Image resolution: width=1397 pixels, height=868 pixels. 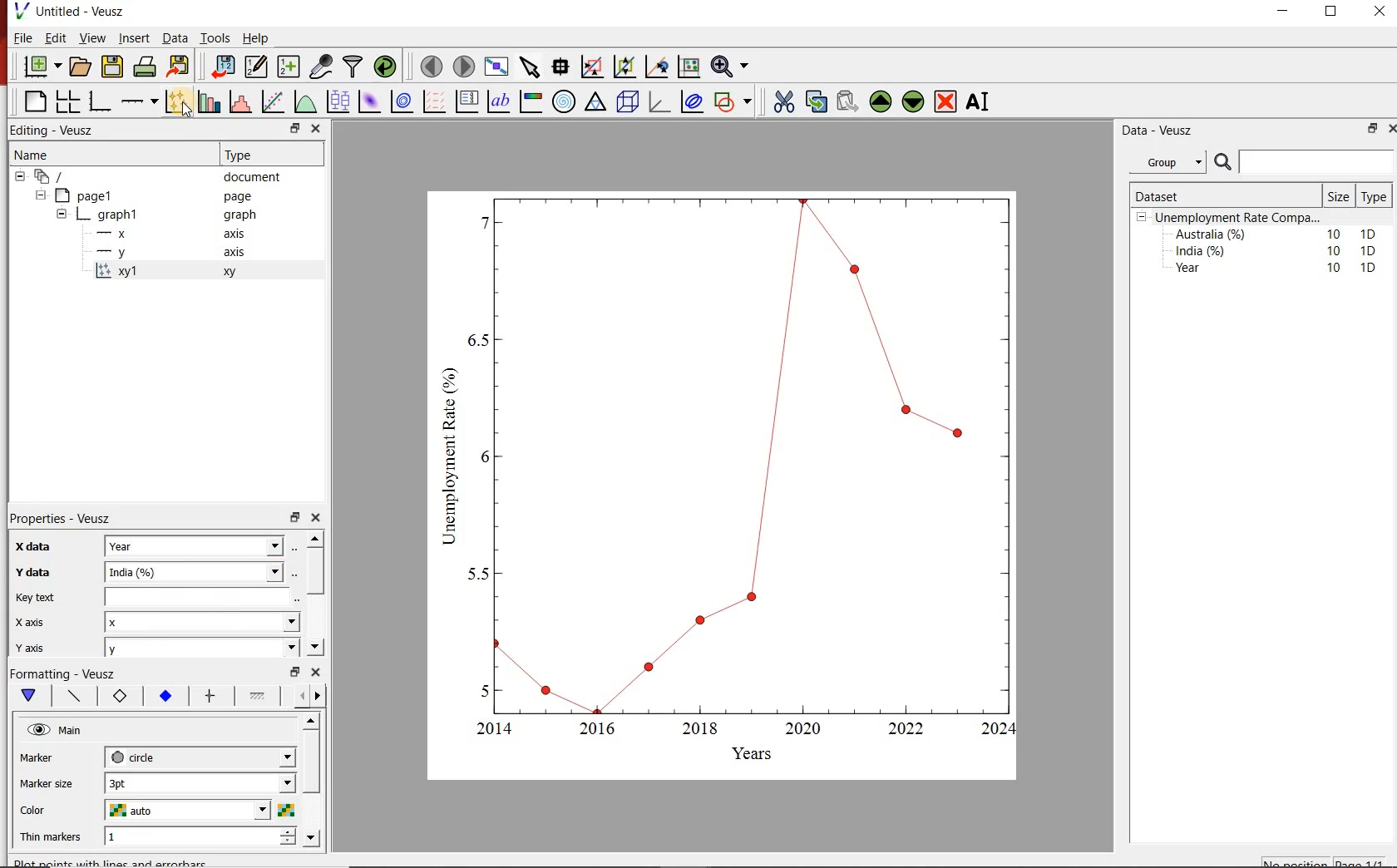 What do you see at coordinates (881, 101) in the screenshot?
I see `move the widgets up` at bounding box center [881, 101].